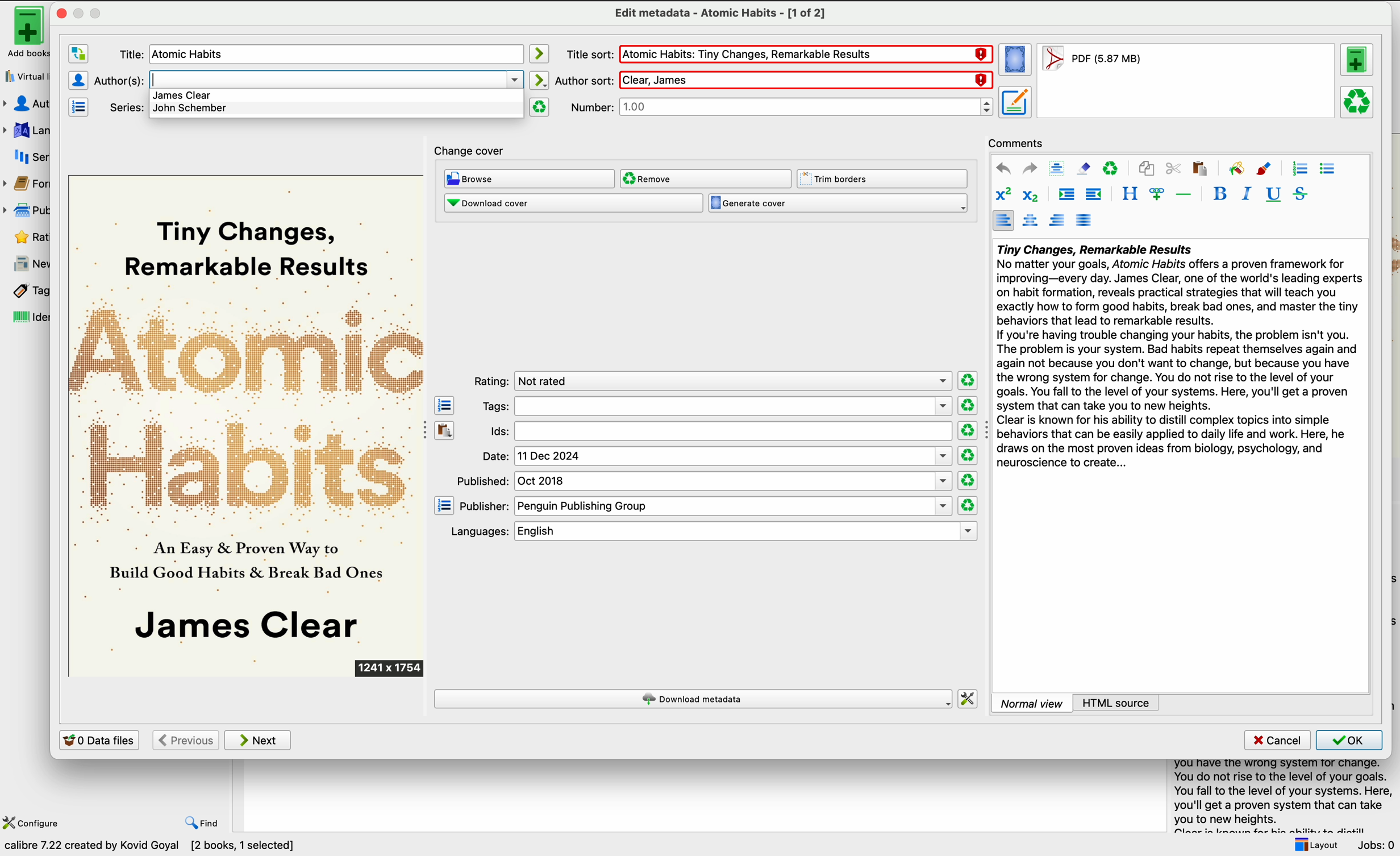 Image resolution: width=1400 pixels, height=856 pixels. What do you see at coordinates (1085, 220) in the screenshot?
I see `align justified` at bounding box center [1085, 220].